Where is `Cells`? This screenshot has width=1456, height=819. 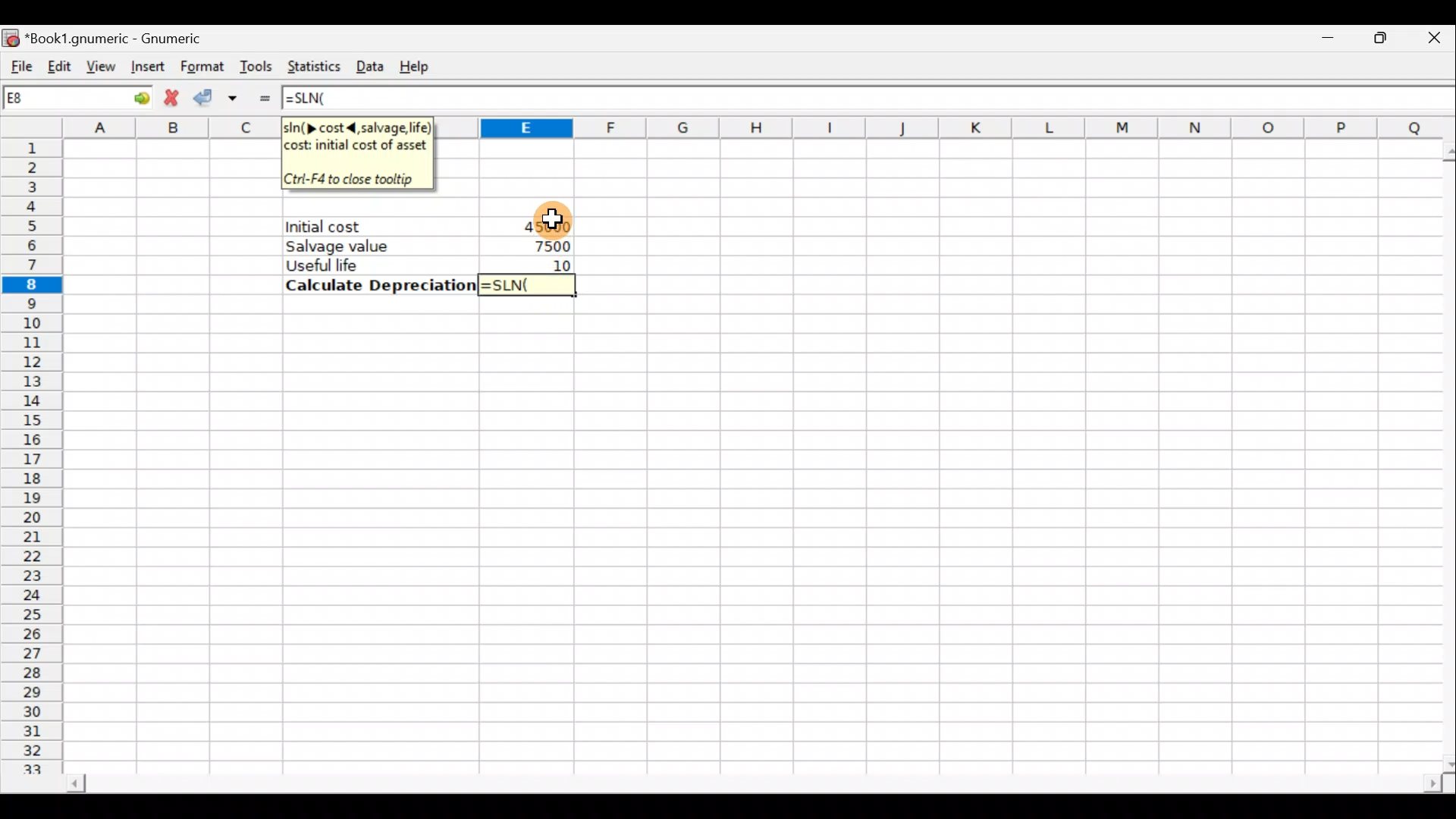
Cells is located at coordinates (747, 538).